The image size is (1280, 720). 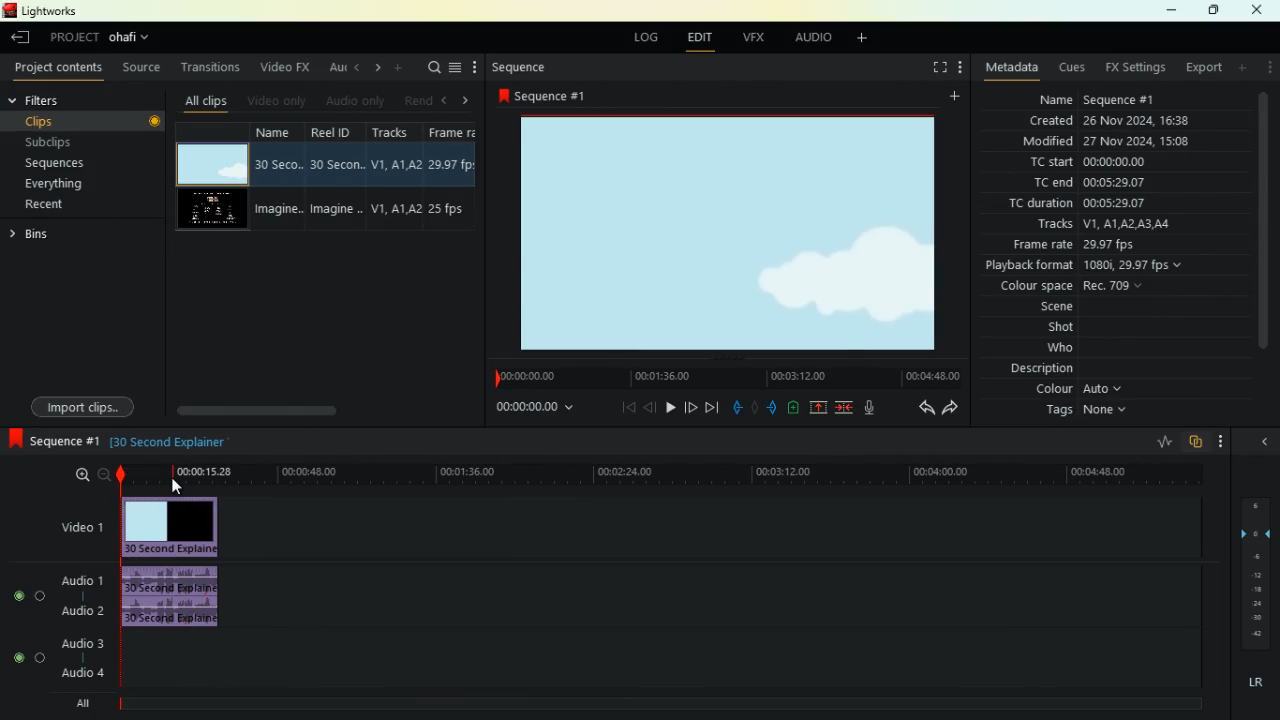 I want to click on imagine.., so click(x=336, y=210).